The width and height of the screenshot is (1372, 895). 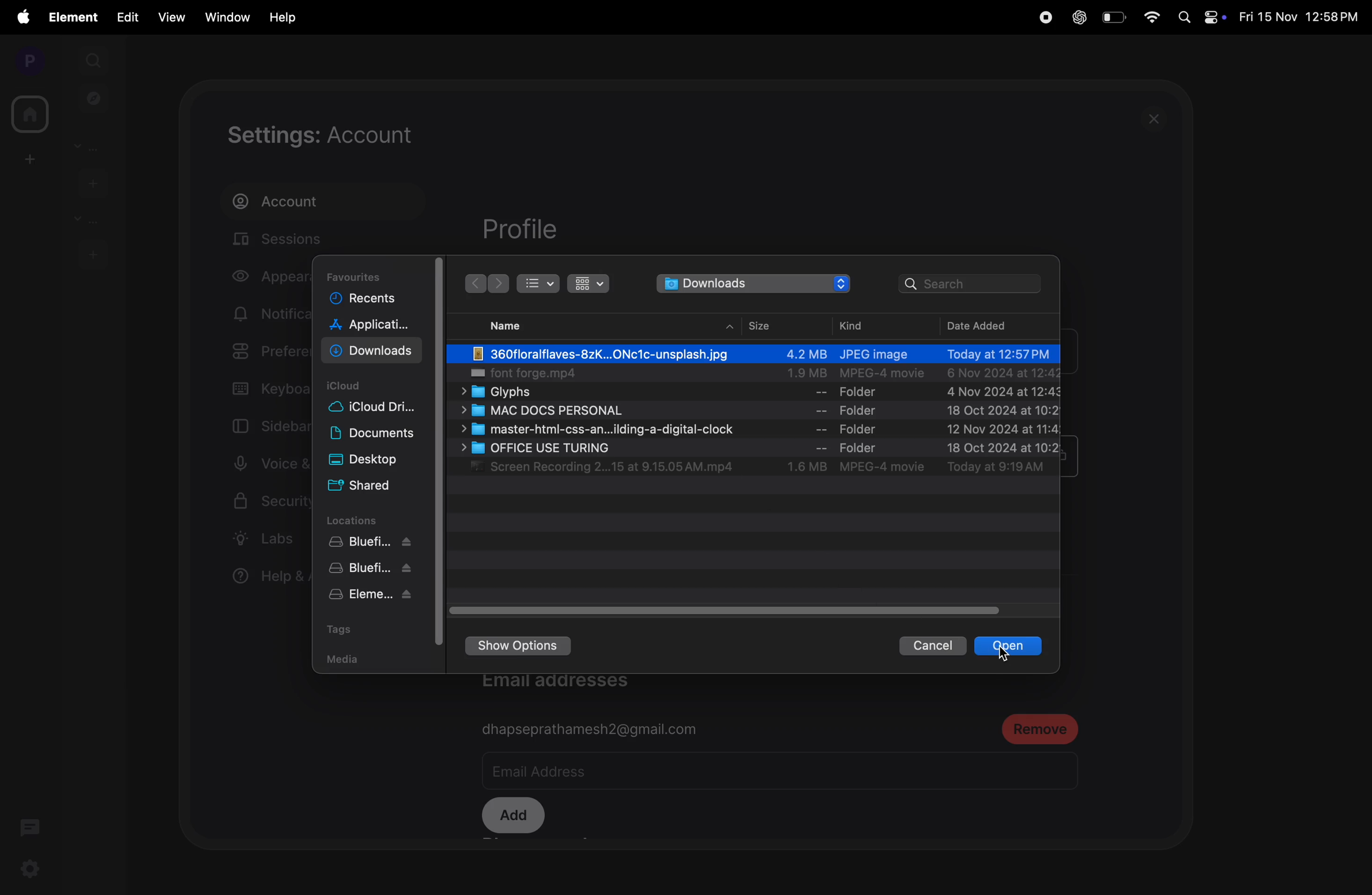 I want to click on wifi, so click(x=1153, y=18).